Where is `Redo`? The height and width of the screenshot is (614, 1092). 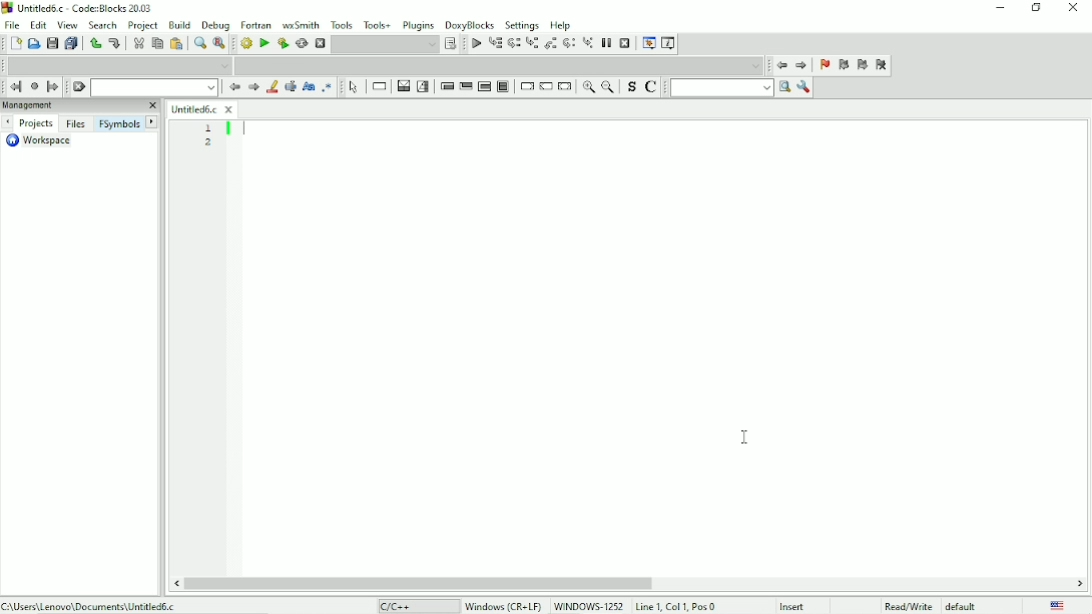
Redo is located at coordinates (115, 43).